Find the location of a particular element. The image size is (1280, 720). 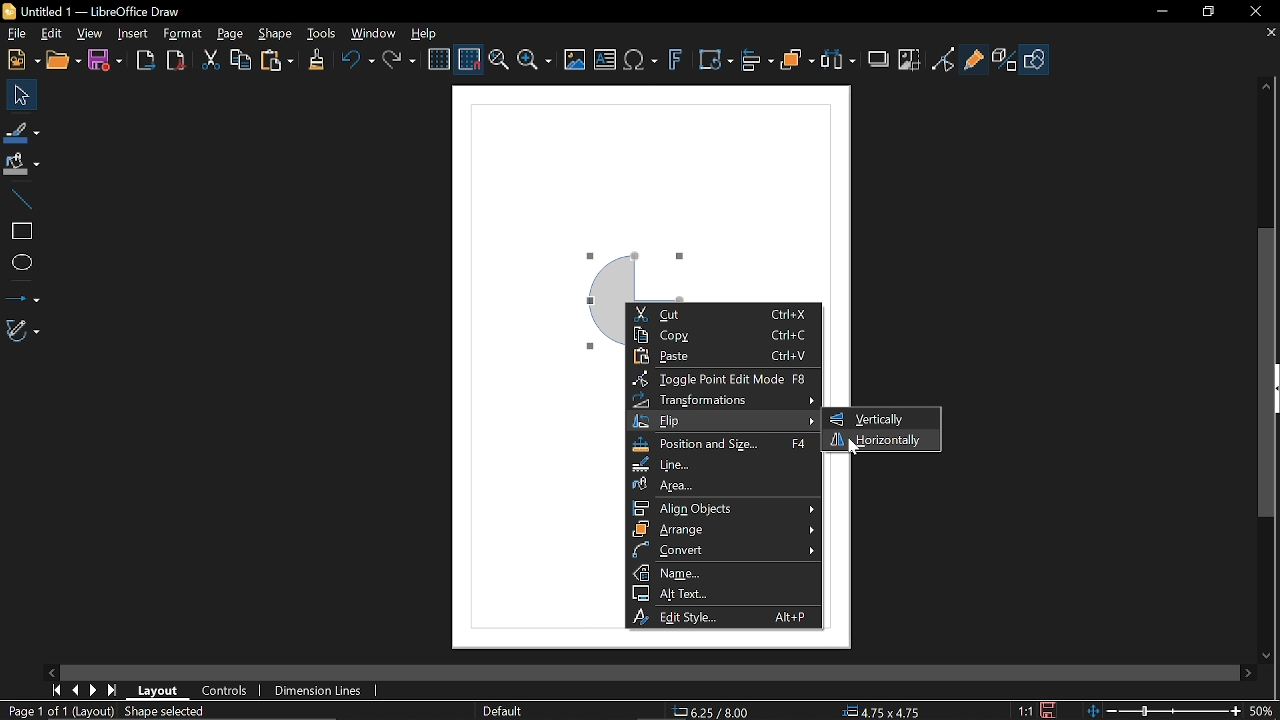

Clone is located at coordinates (316, 61).